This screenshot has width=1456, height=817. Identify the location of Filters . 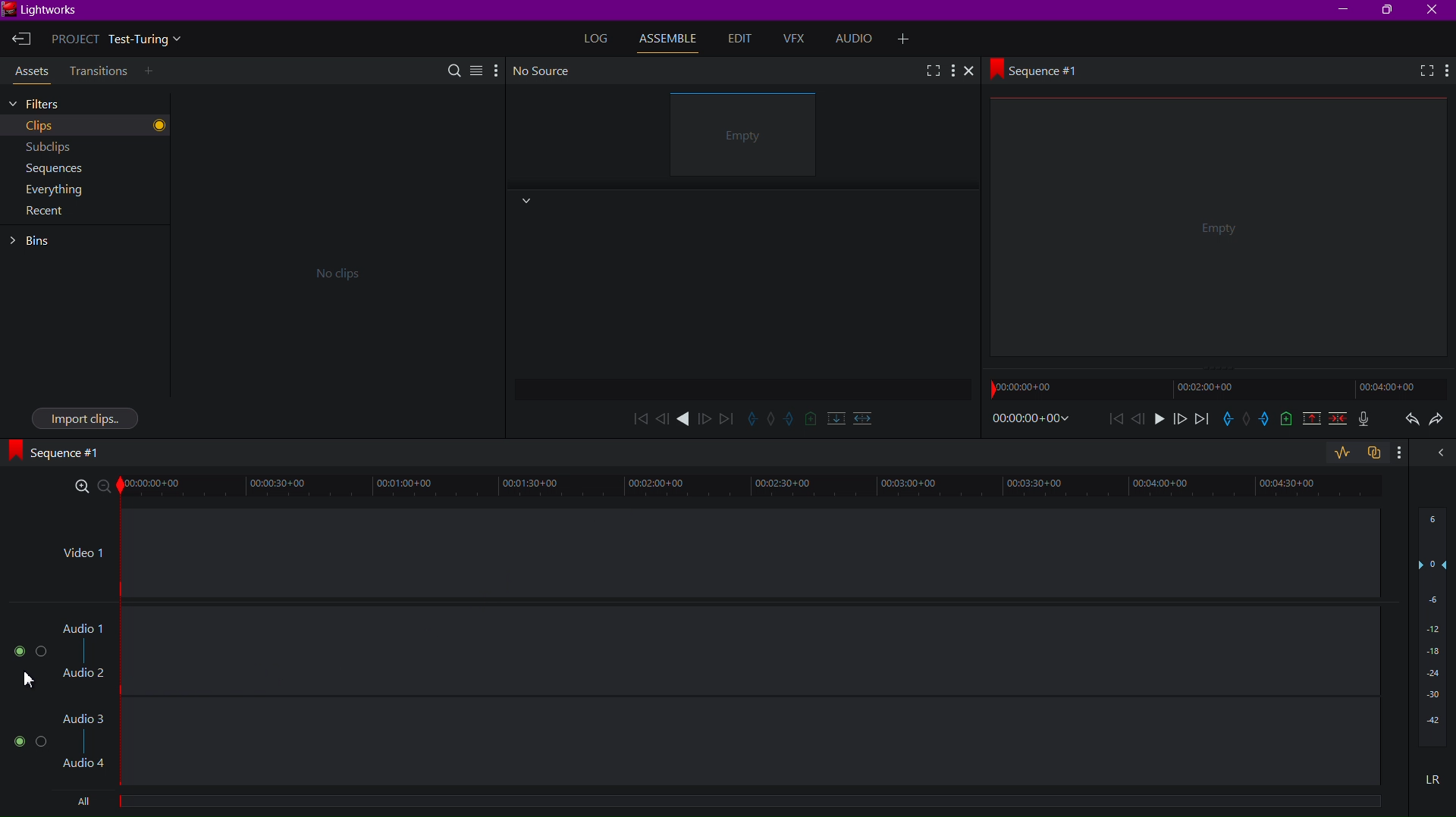
(83, 103).